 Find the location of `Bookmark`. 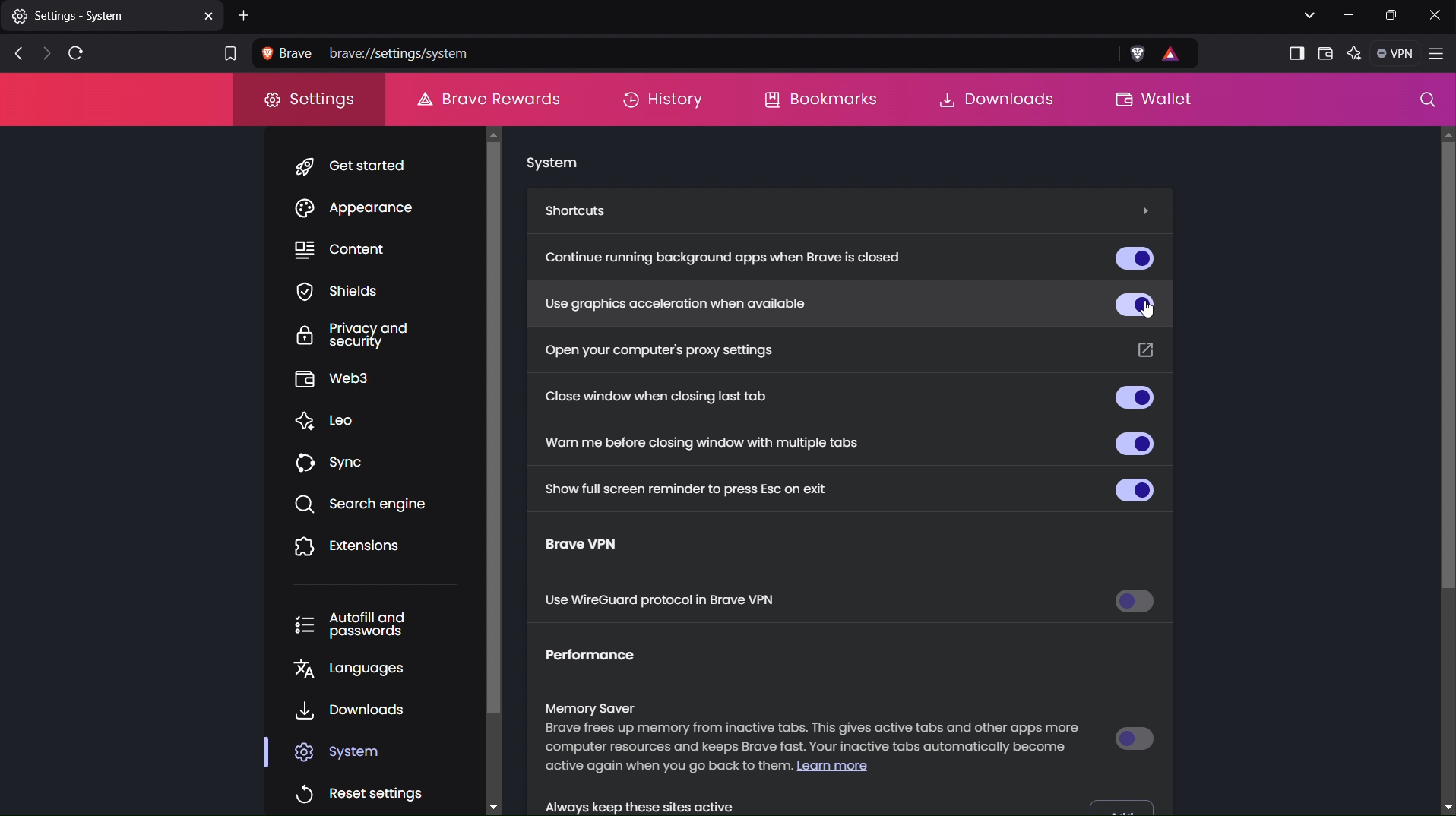

Bookmark is located at coordinates (227, 55).